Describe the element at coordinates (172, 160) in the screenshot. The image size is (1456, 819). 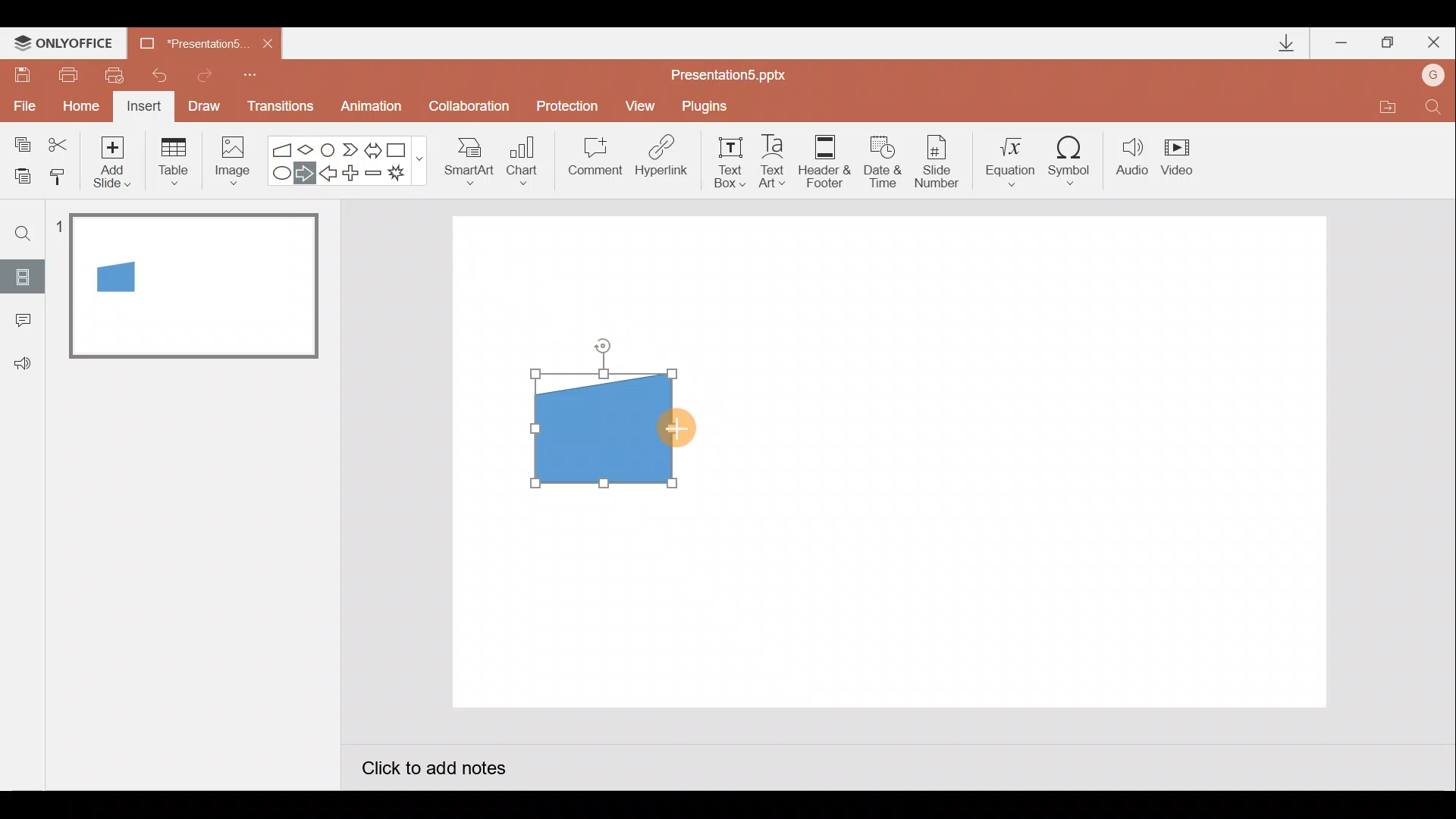
I see `Table` at that location.